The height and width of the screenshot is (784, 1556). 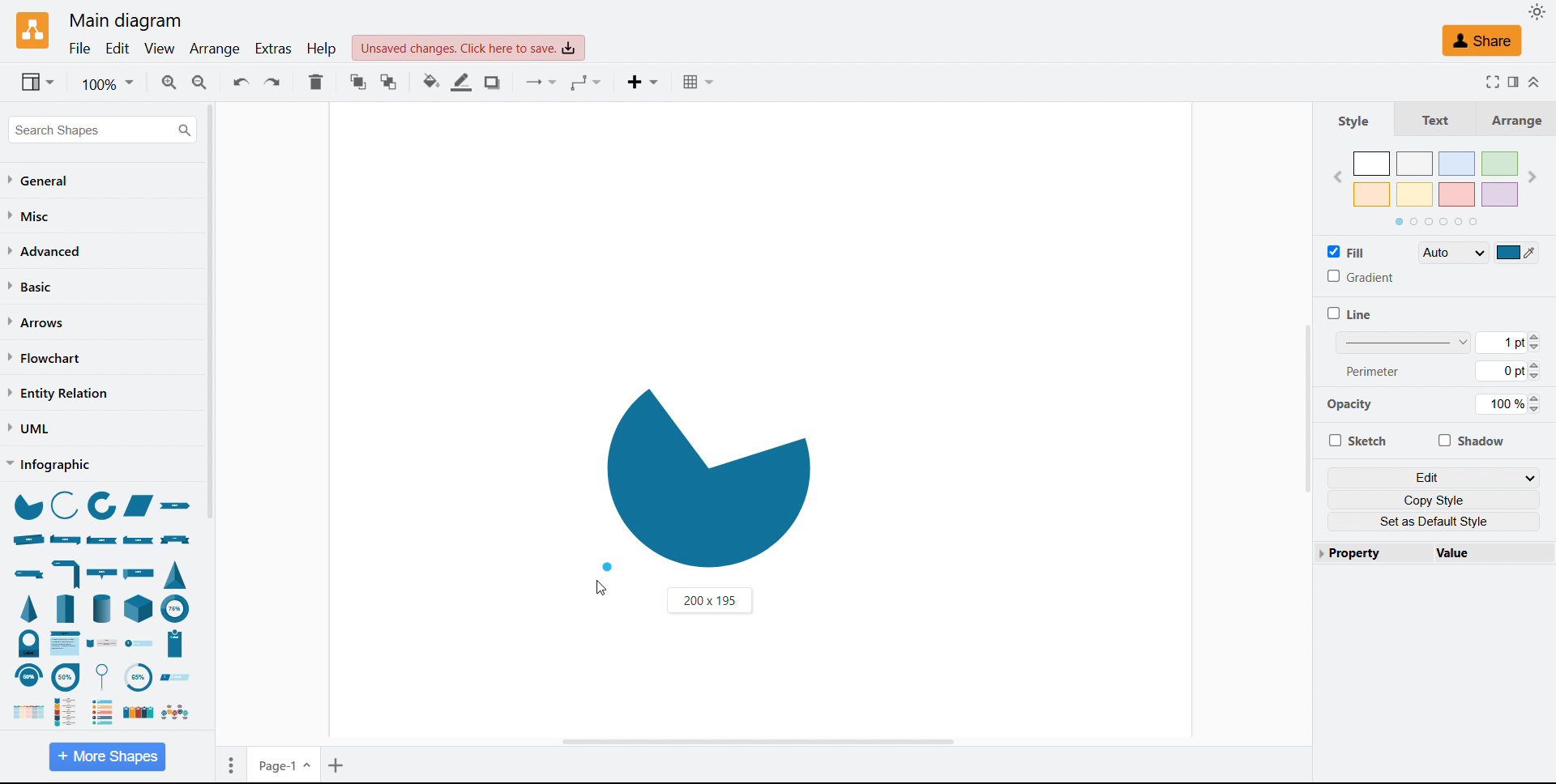 I want to click on help , so click(x=323, y=48).